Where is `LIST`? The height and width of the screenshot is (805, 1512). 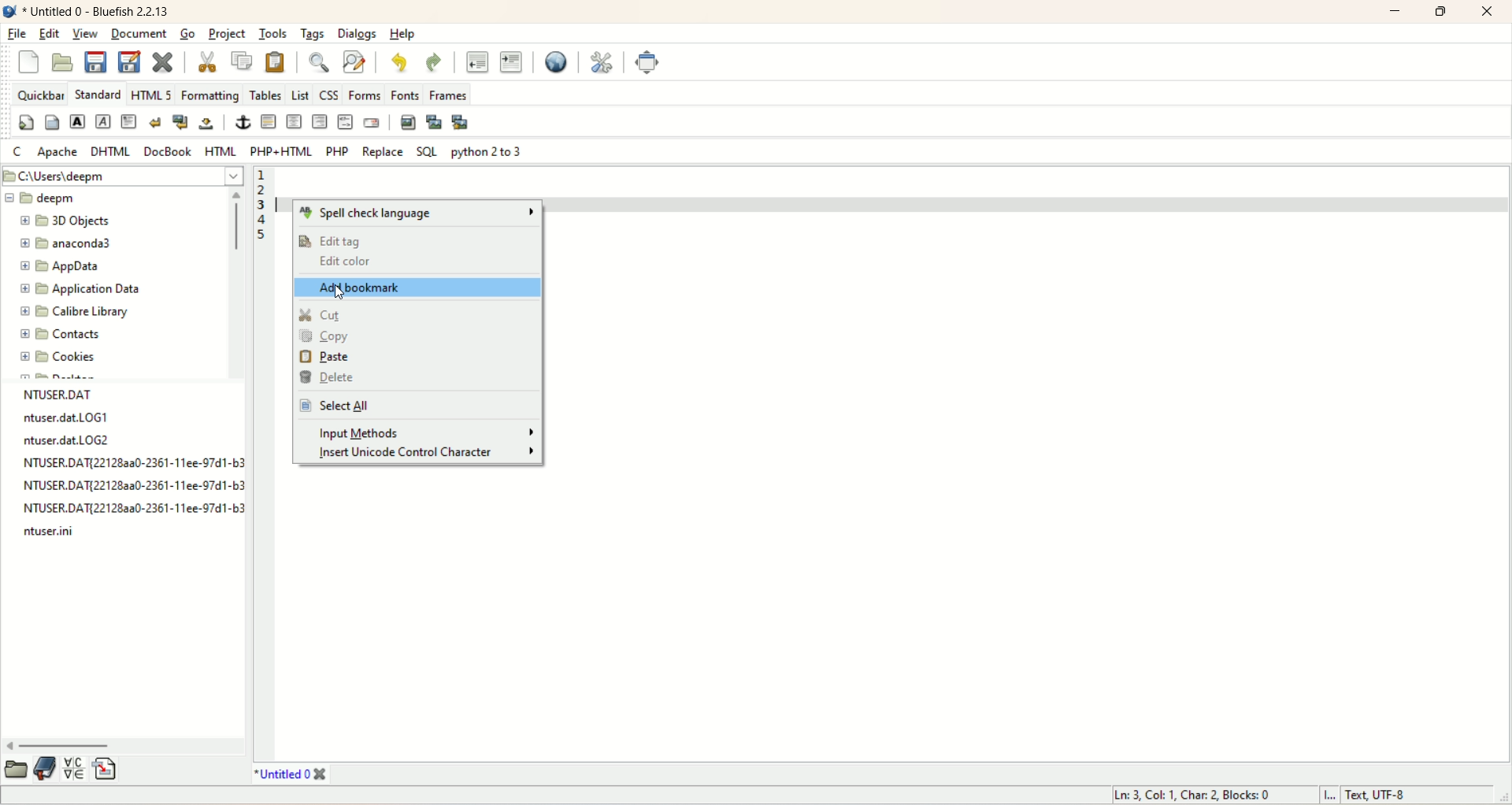
LIST is located at coordinates (301, 95).